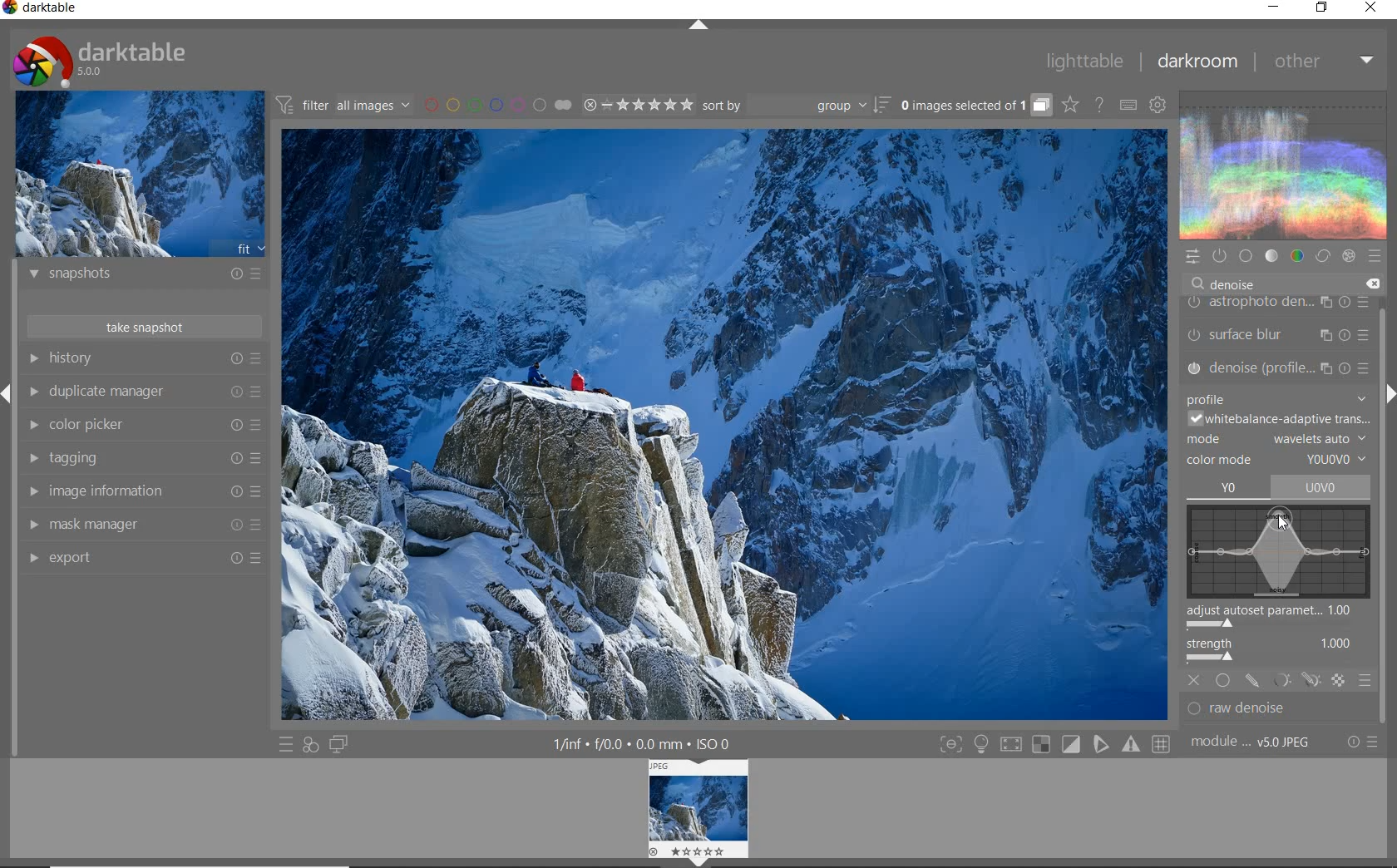 This screenshot has height=868, width=1397. What do you see at coordinates (141, 425) in the screenshot?
I see `color picker` at bounding box center [141, 425].